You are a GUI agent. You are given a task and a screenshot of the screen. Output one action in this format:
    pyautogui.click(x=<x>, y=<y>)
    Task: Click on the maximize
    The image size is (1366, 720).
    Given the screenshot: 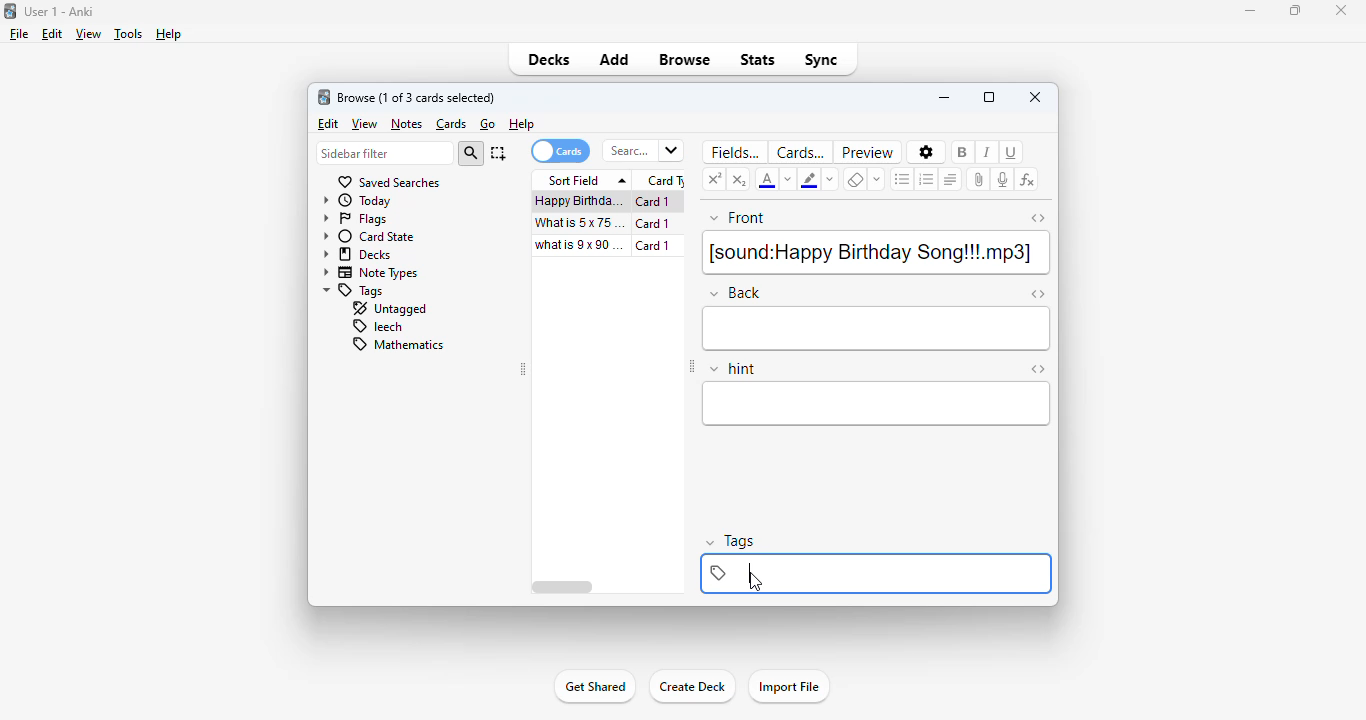 What is the action you would take?
    pyautogui.click(x=990, y=97)
    